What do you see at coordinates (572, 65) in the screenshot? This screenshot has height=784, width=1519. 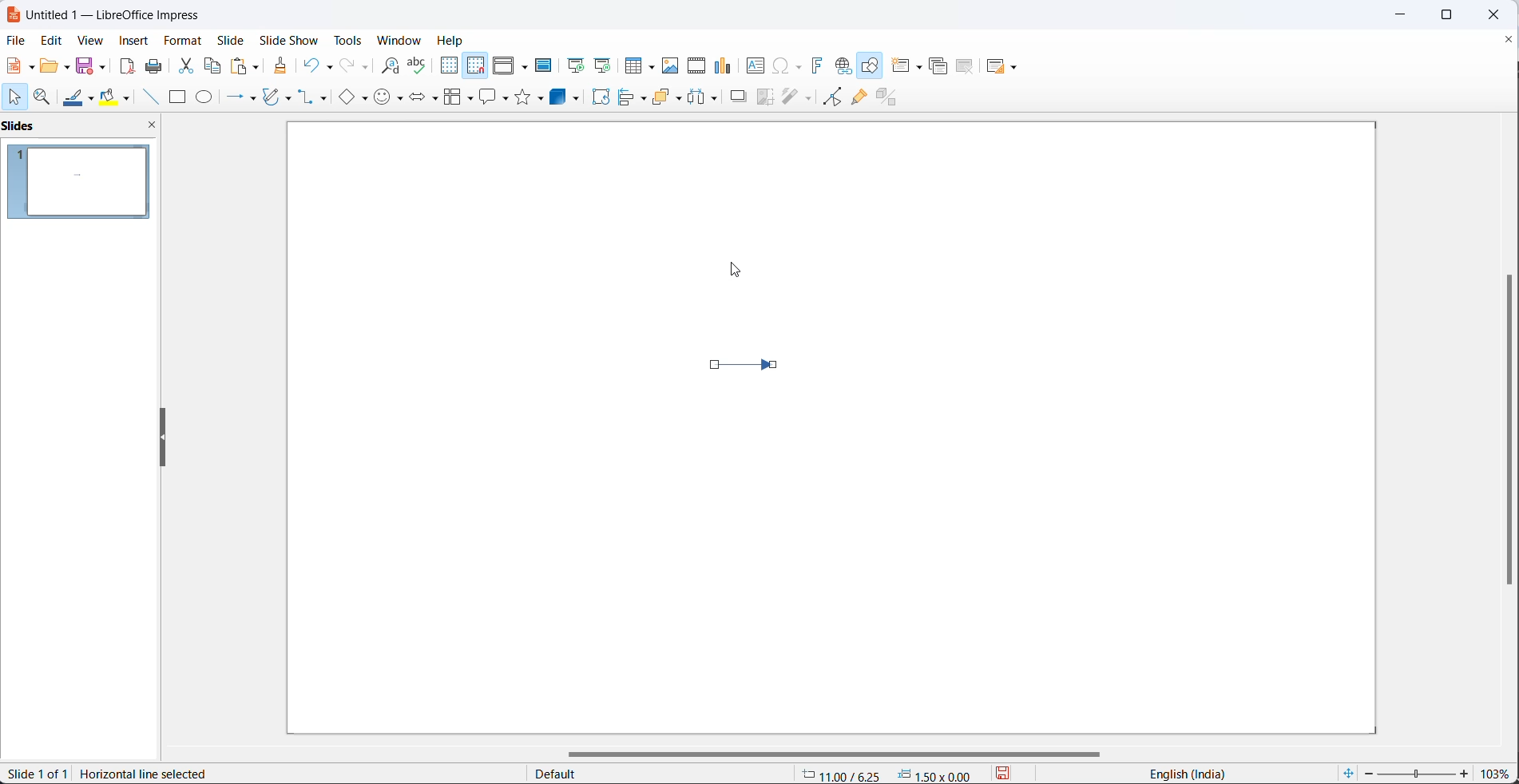 I see `start from first slide` at bounding box center [572, 65].